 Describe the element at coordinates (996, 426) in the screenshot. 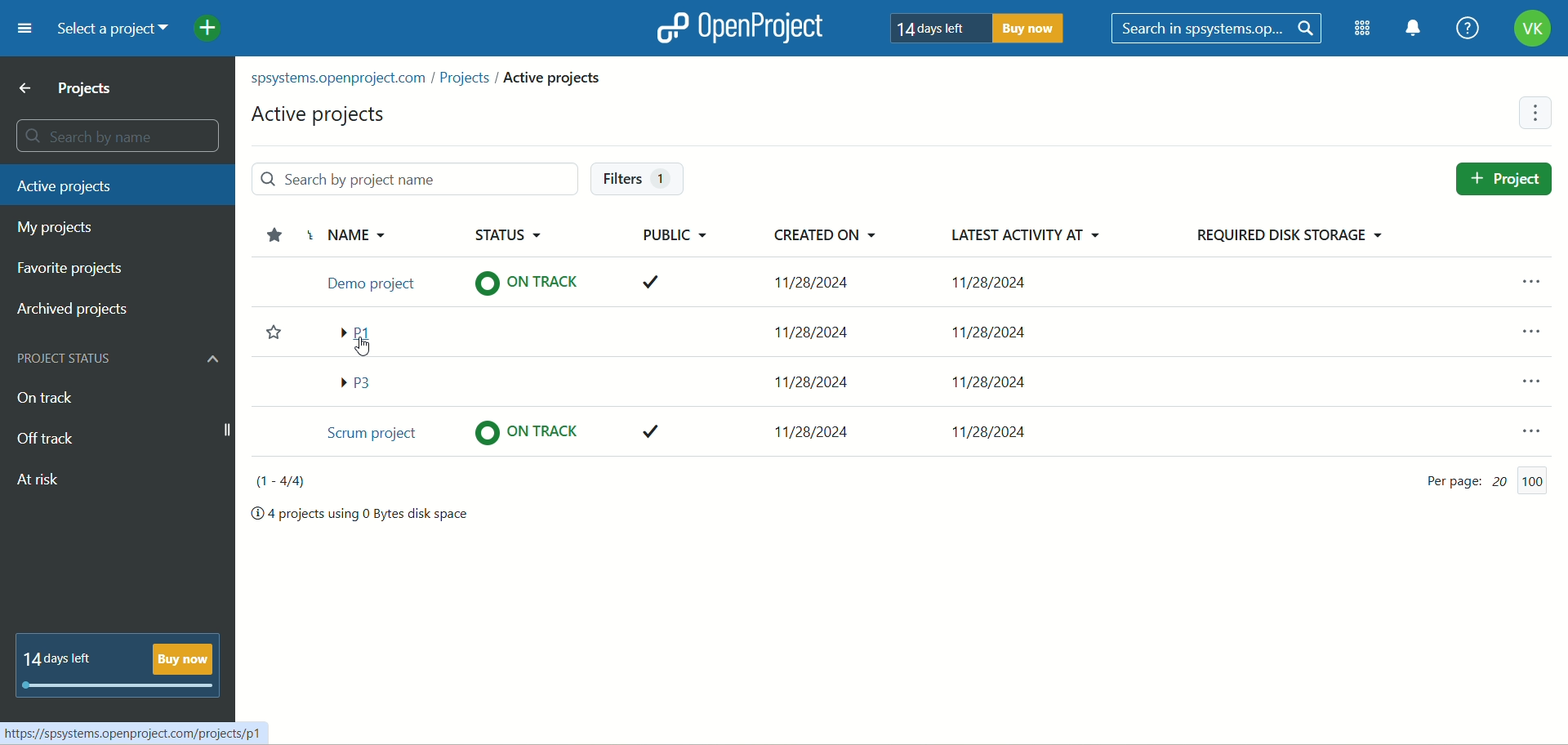

I see `11/28/2024` at that location.